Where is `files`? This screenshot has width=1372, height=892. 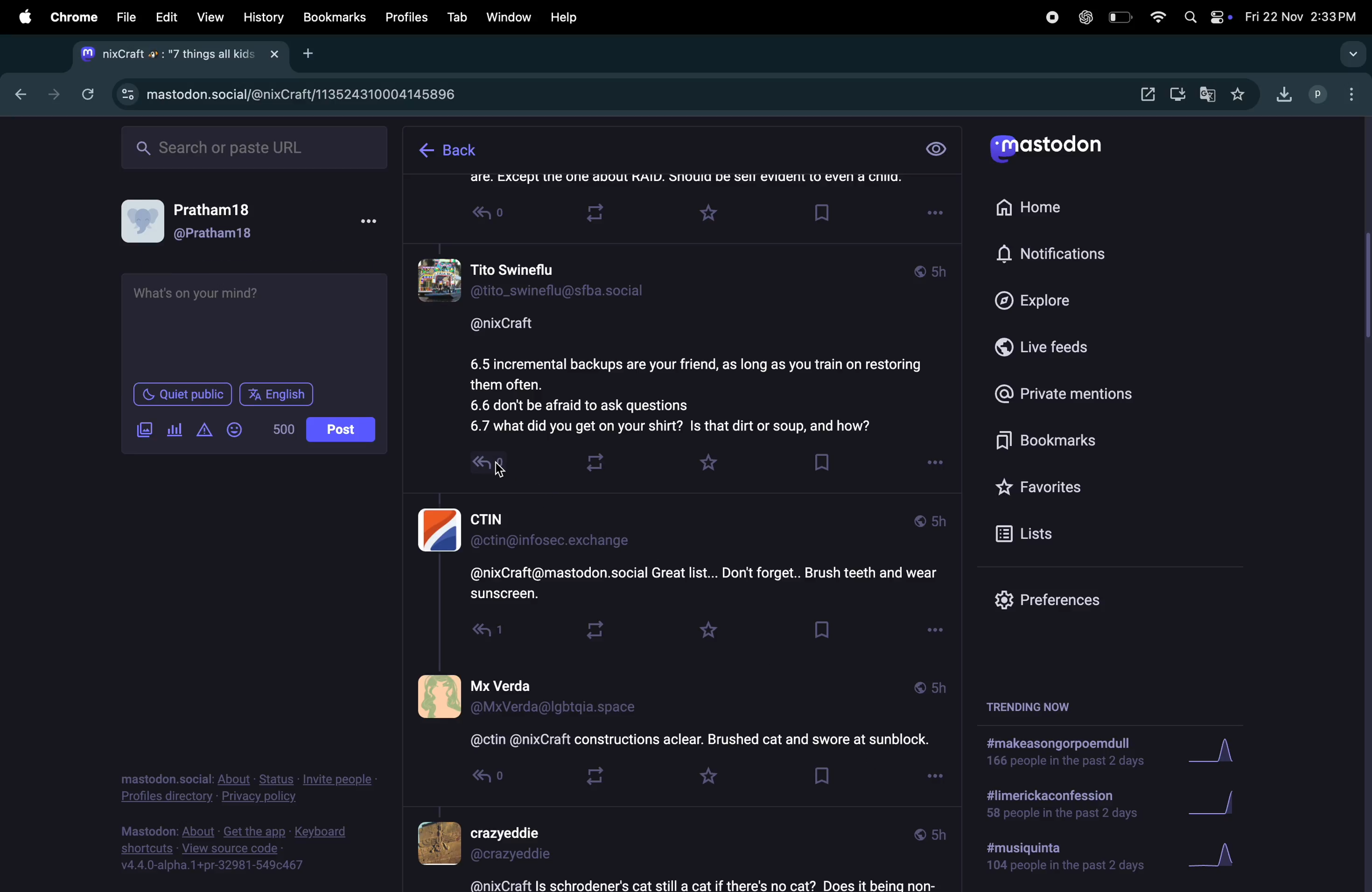
files is located at coordinates (125, 14).